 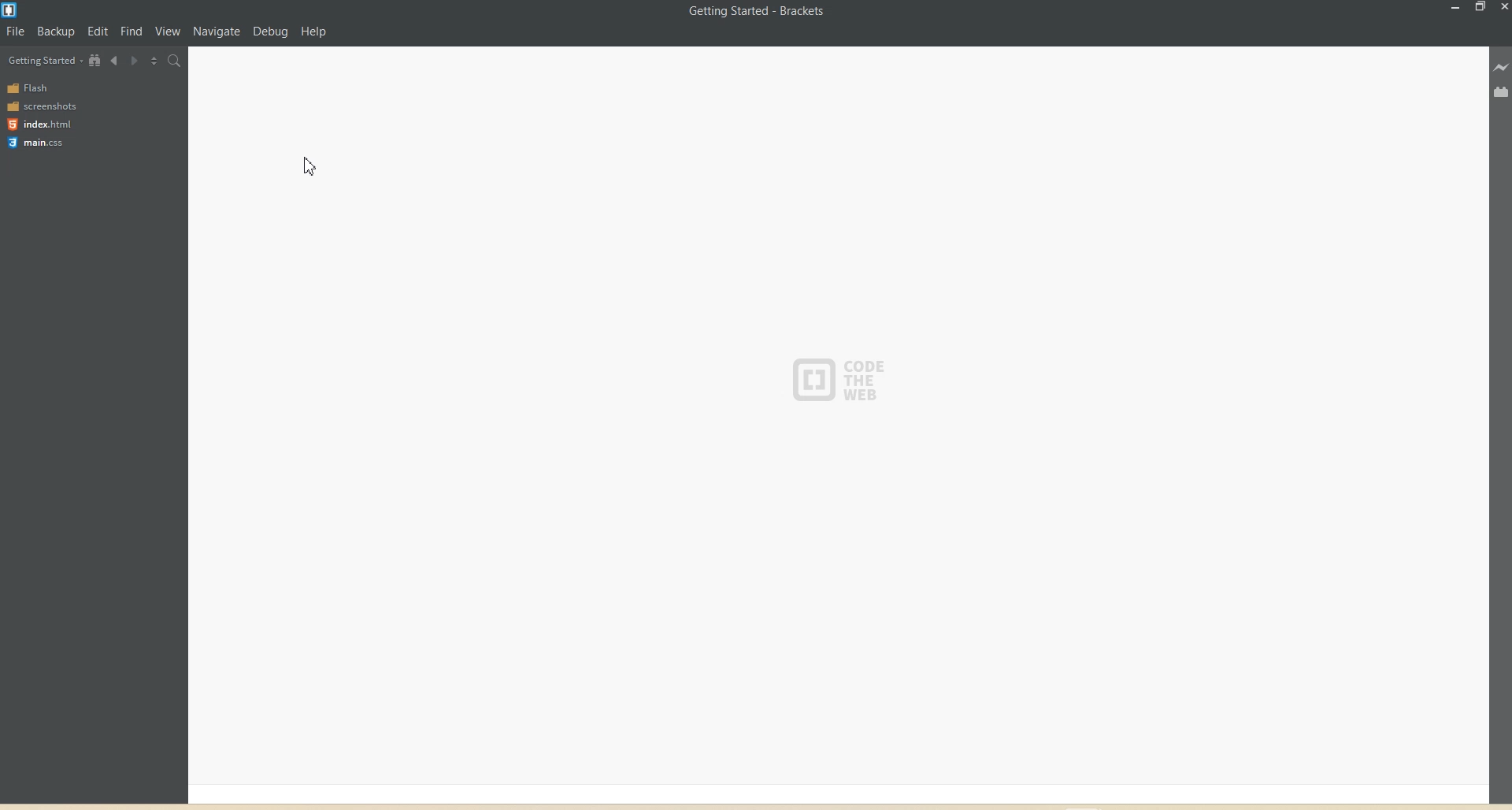 What do you see at coordinates (323, 29) in the screenshot?
I see `Help` at bounding box center [323, 29].